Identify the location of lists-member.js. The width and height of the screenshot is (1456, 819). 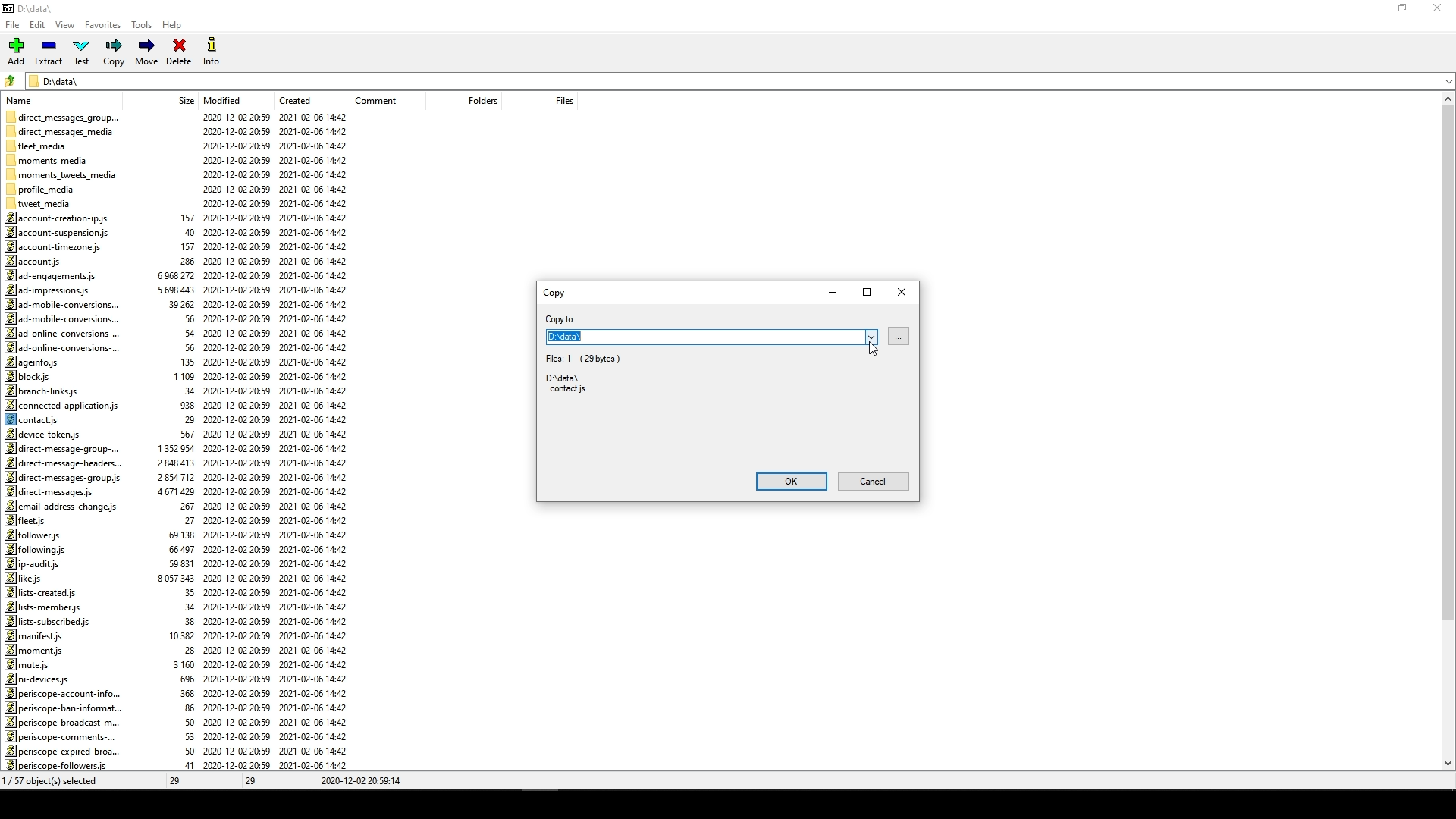
(42, 607).